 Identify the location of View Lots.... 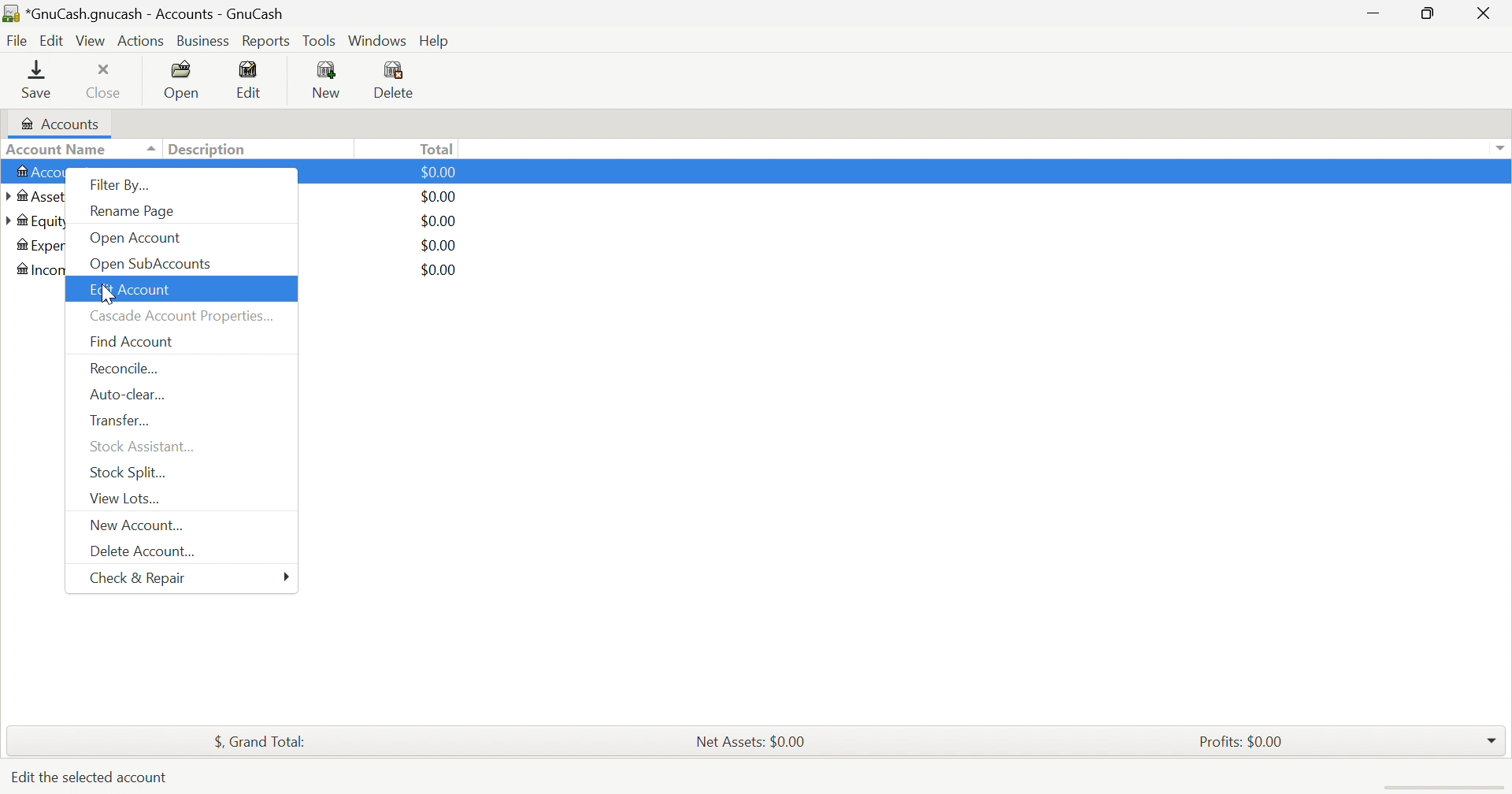
(126, 500).